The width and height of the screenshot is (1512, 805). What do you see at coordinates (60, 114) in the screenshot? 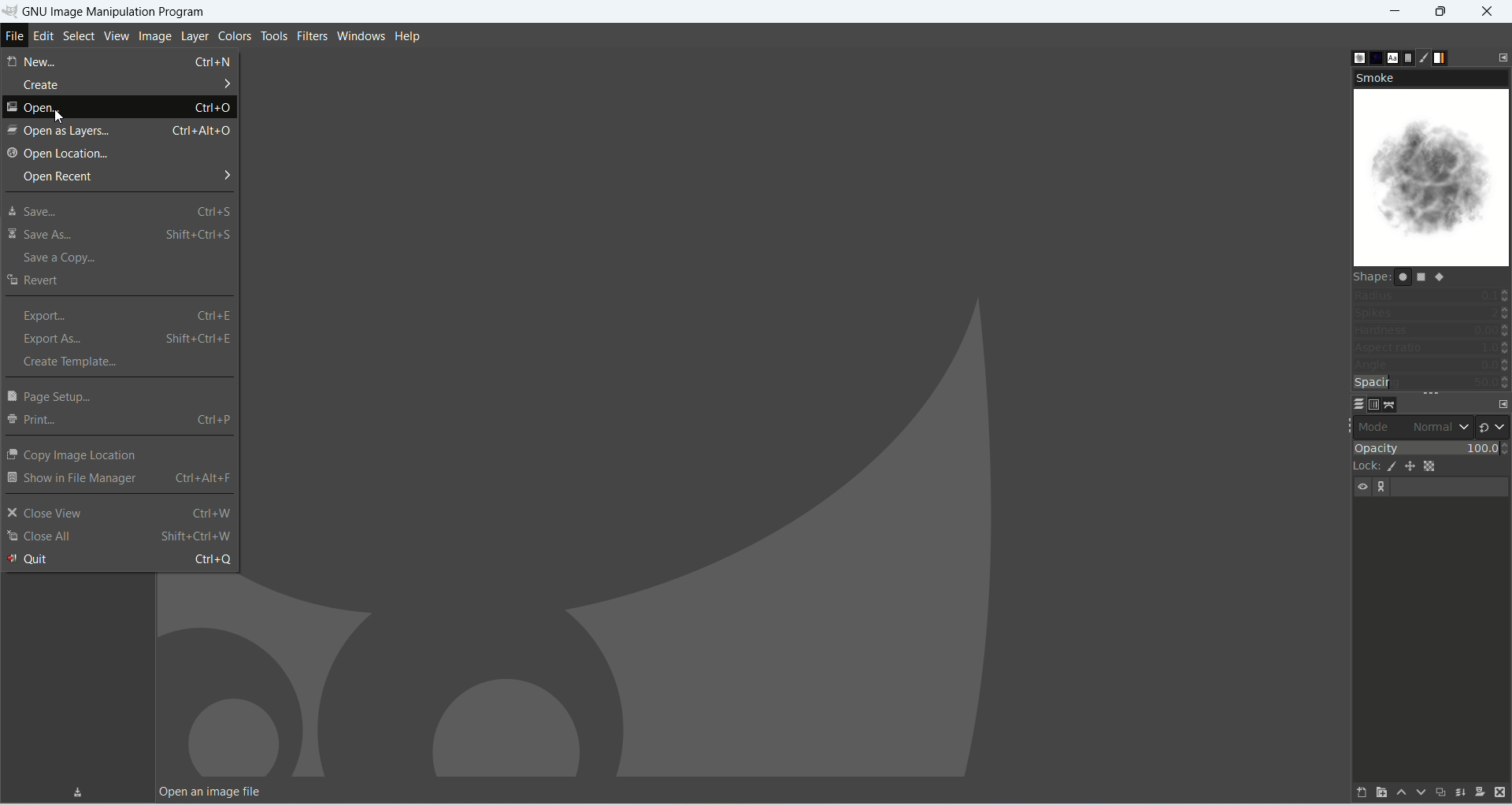
I see `Cursor` at bounding box center [60, 114].